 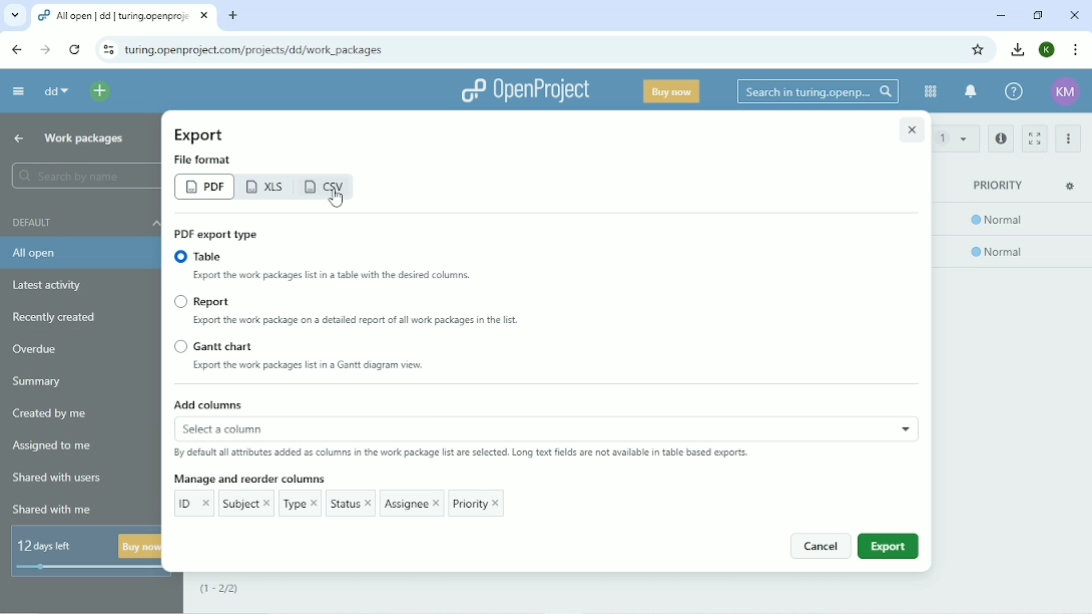 What do you see at coordinates (249, 479) in the screenshot?
I see `Manage and reorder columns` at bounding box center [249, 479].